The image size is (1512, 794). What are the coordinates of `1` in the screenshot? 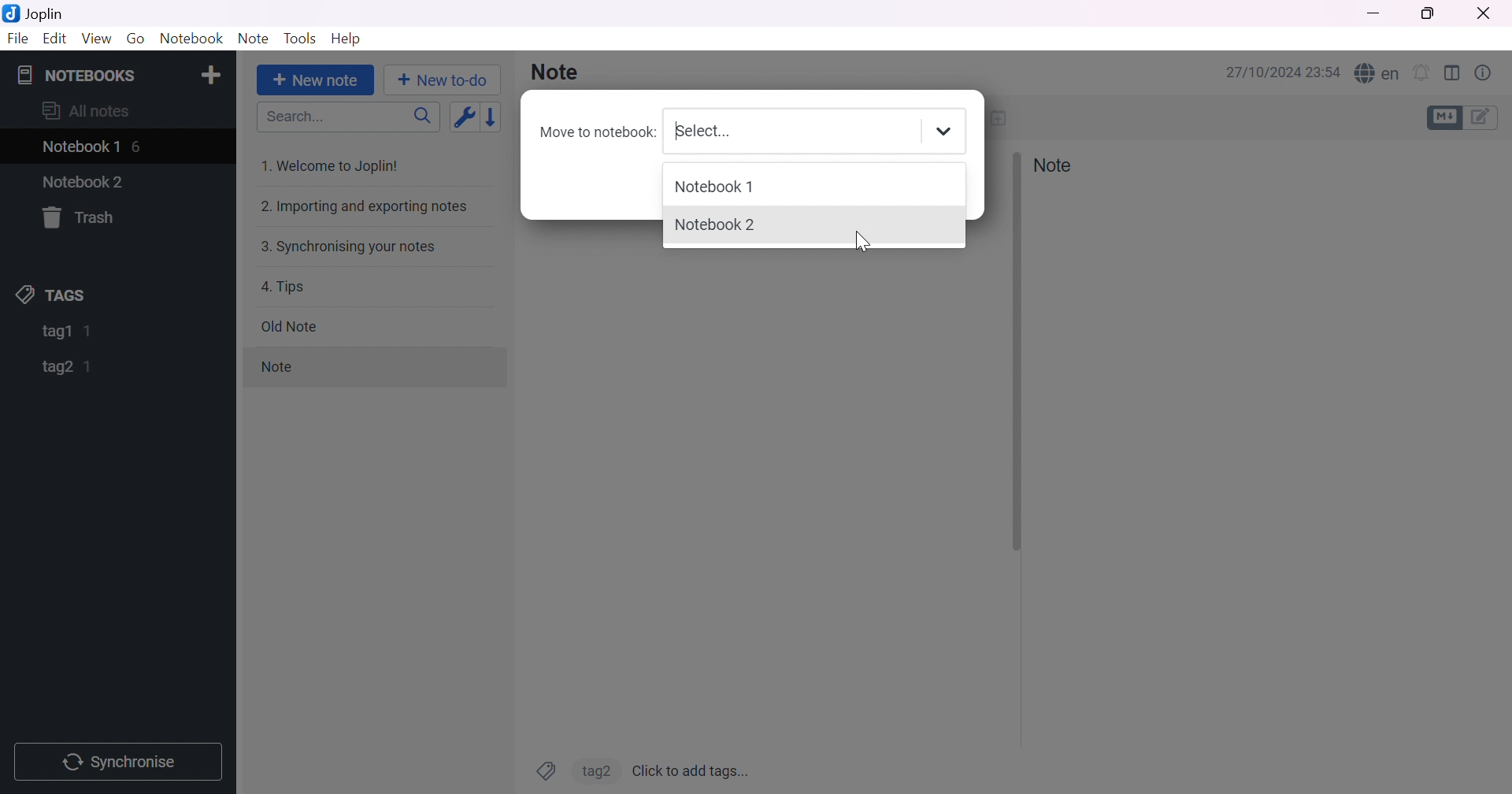 It's located at (88, 367).